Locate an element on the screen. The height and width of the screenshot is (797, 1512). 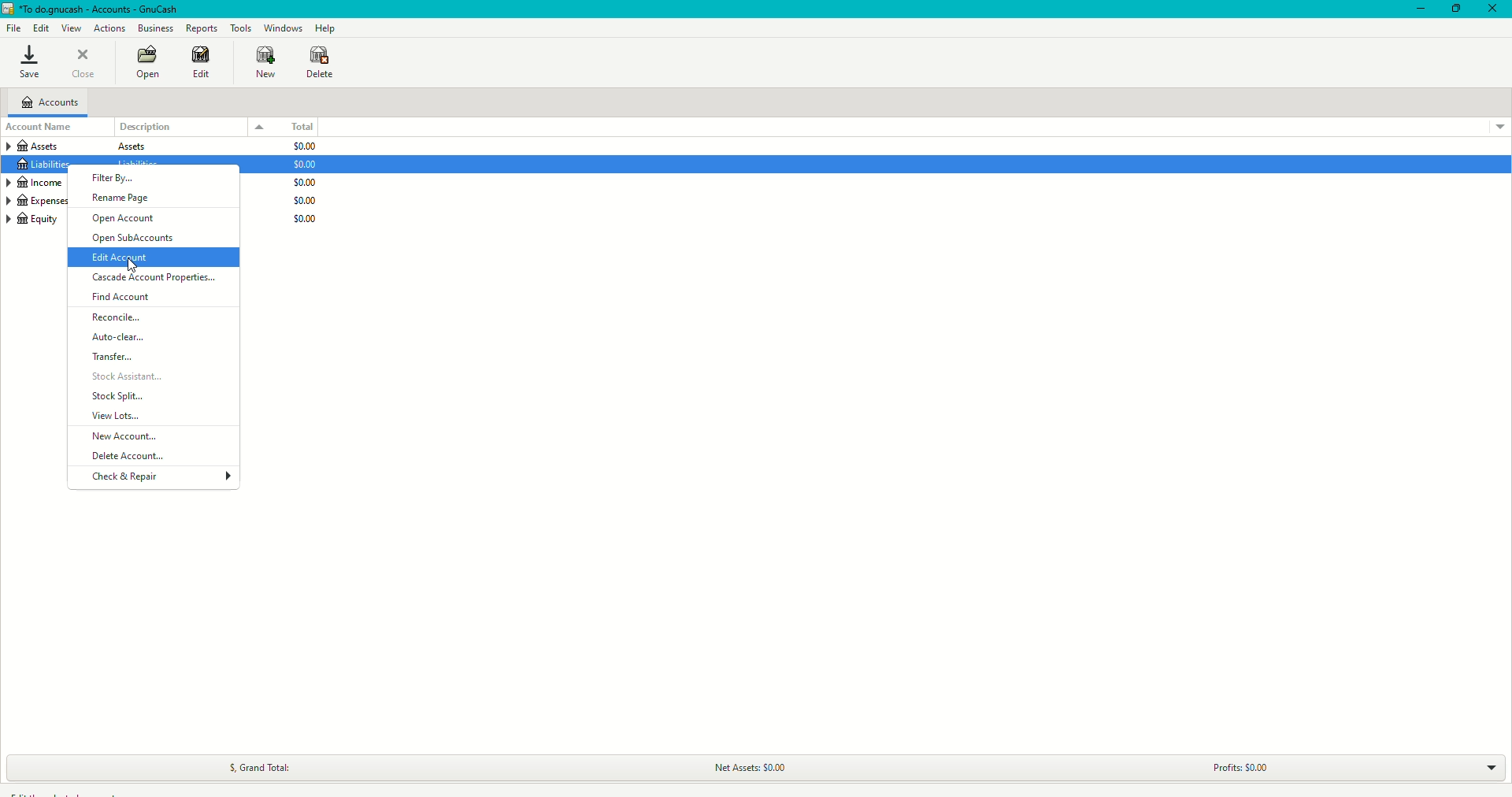
Accounts is located at coordinates (50, 101).